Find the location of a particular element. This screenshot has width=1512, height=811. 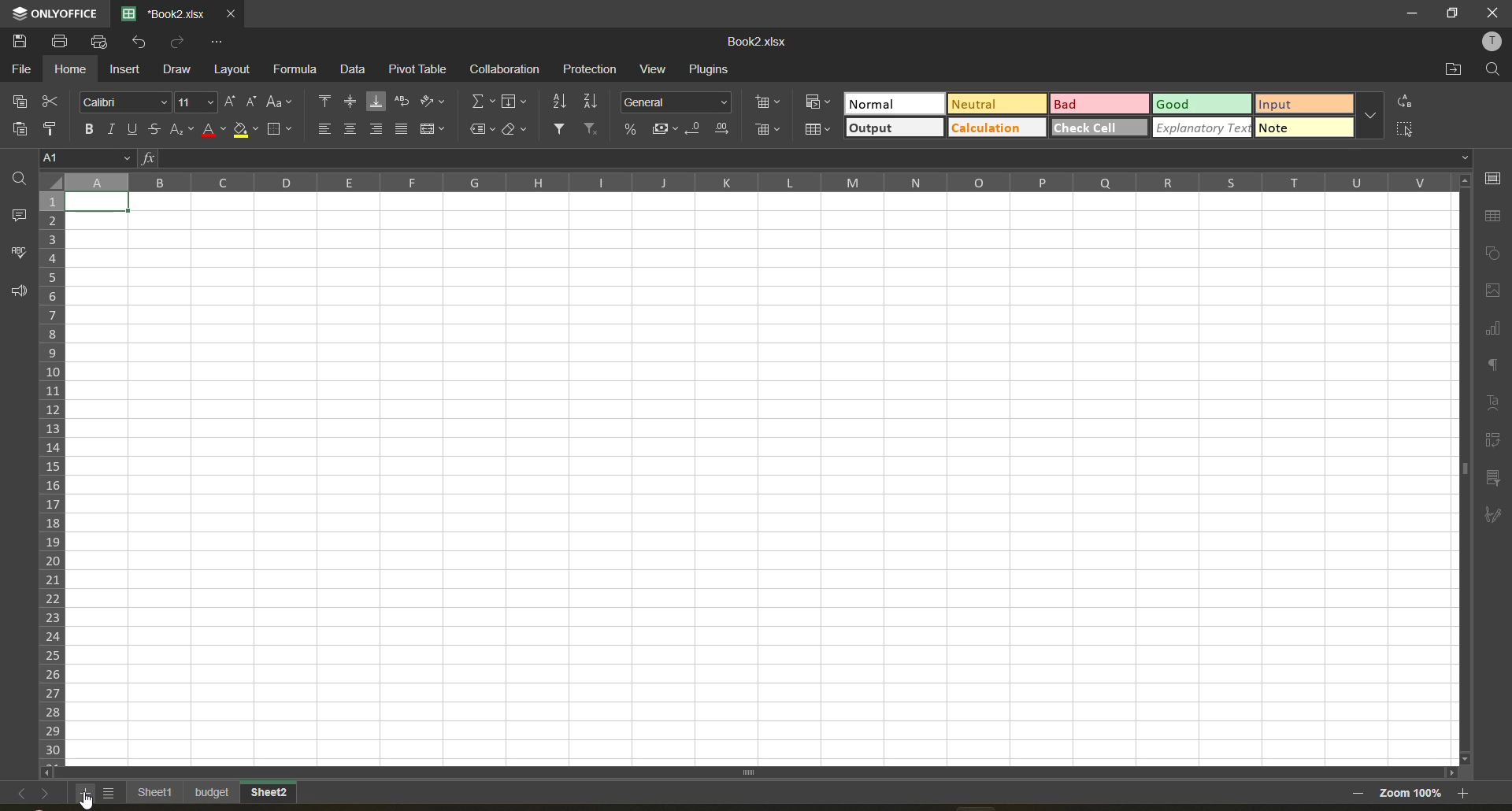

align middle is located at coordinates (350, 131).